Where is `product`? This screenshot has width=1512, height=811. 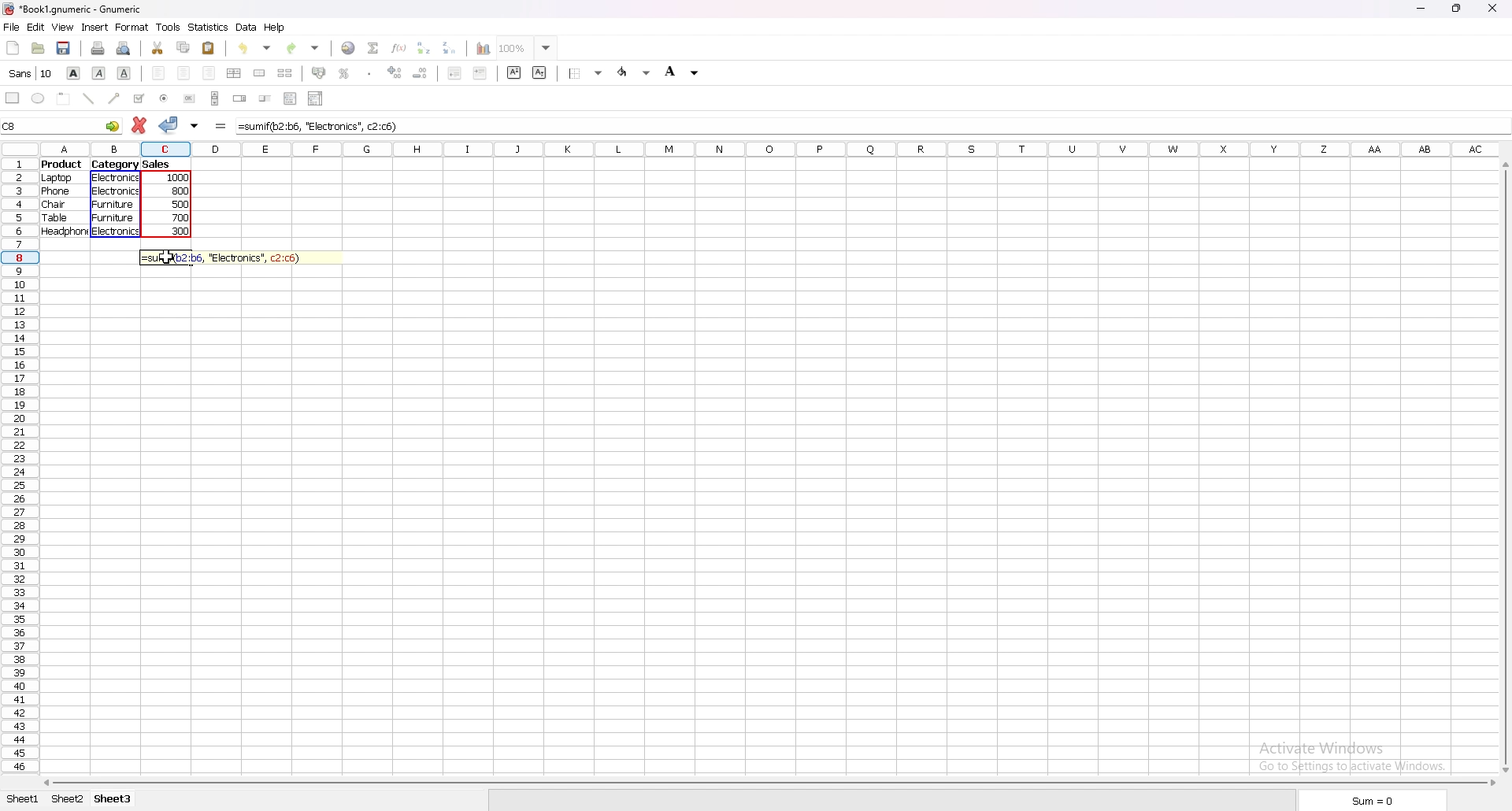
product is located at coordinates (62, 165).